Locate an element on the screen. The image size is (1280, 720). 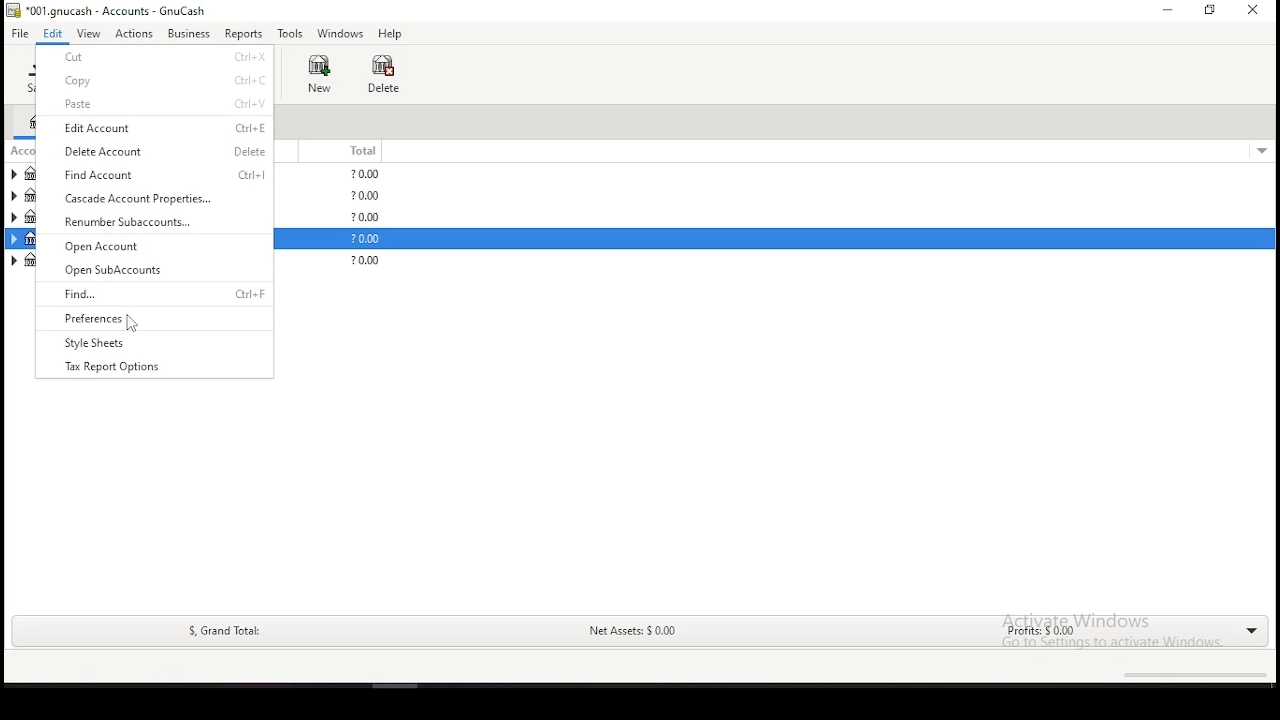
open subaccounts is located at coordinates (153, 270).